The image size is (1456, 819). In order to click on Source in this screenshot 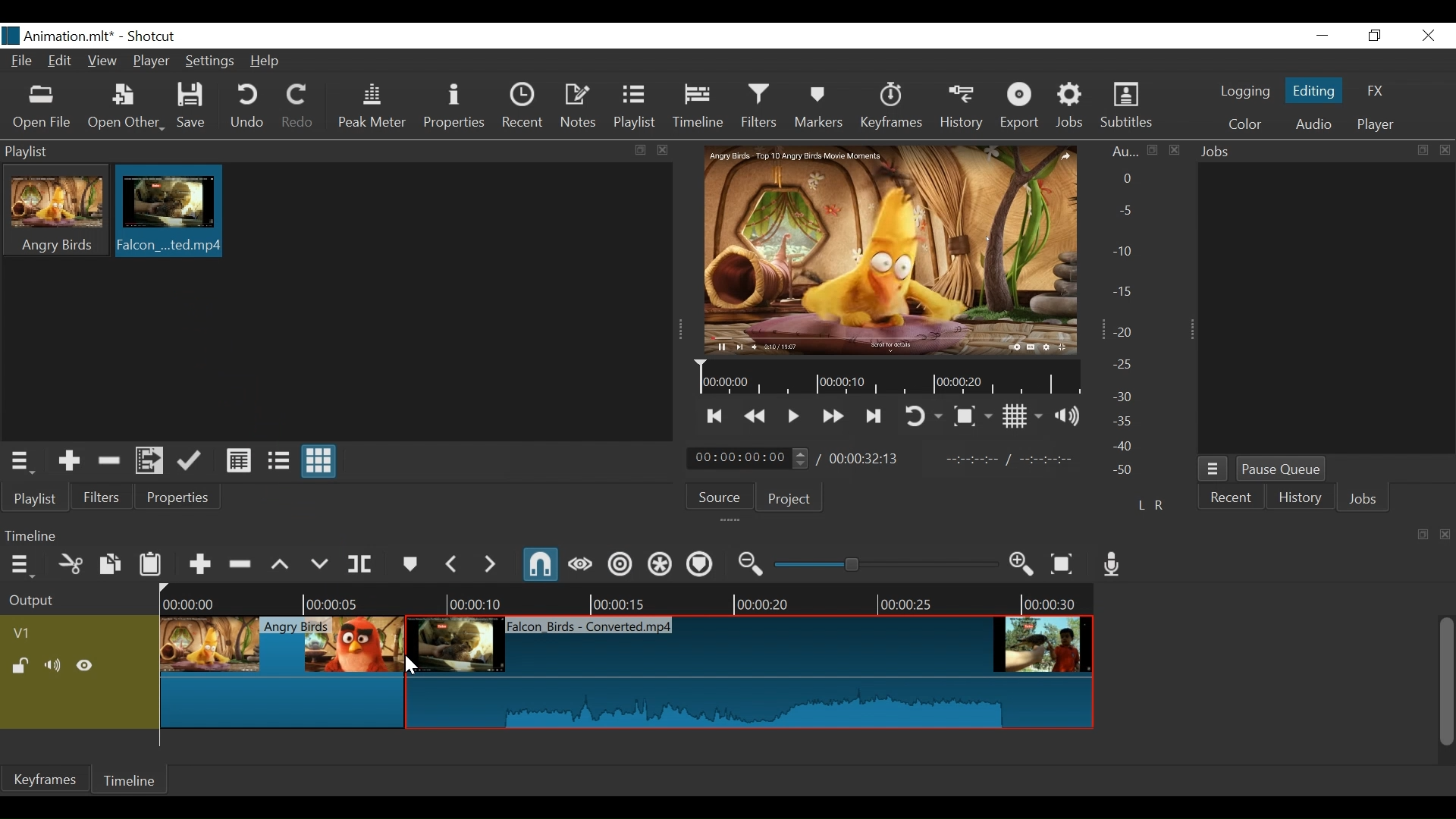, I will do `click(720, 497)`.